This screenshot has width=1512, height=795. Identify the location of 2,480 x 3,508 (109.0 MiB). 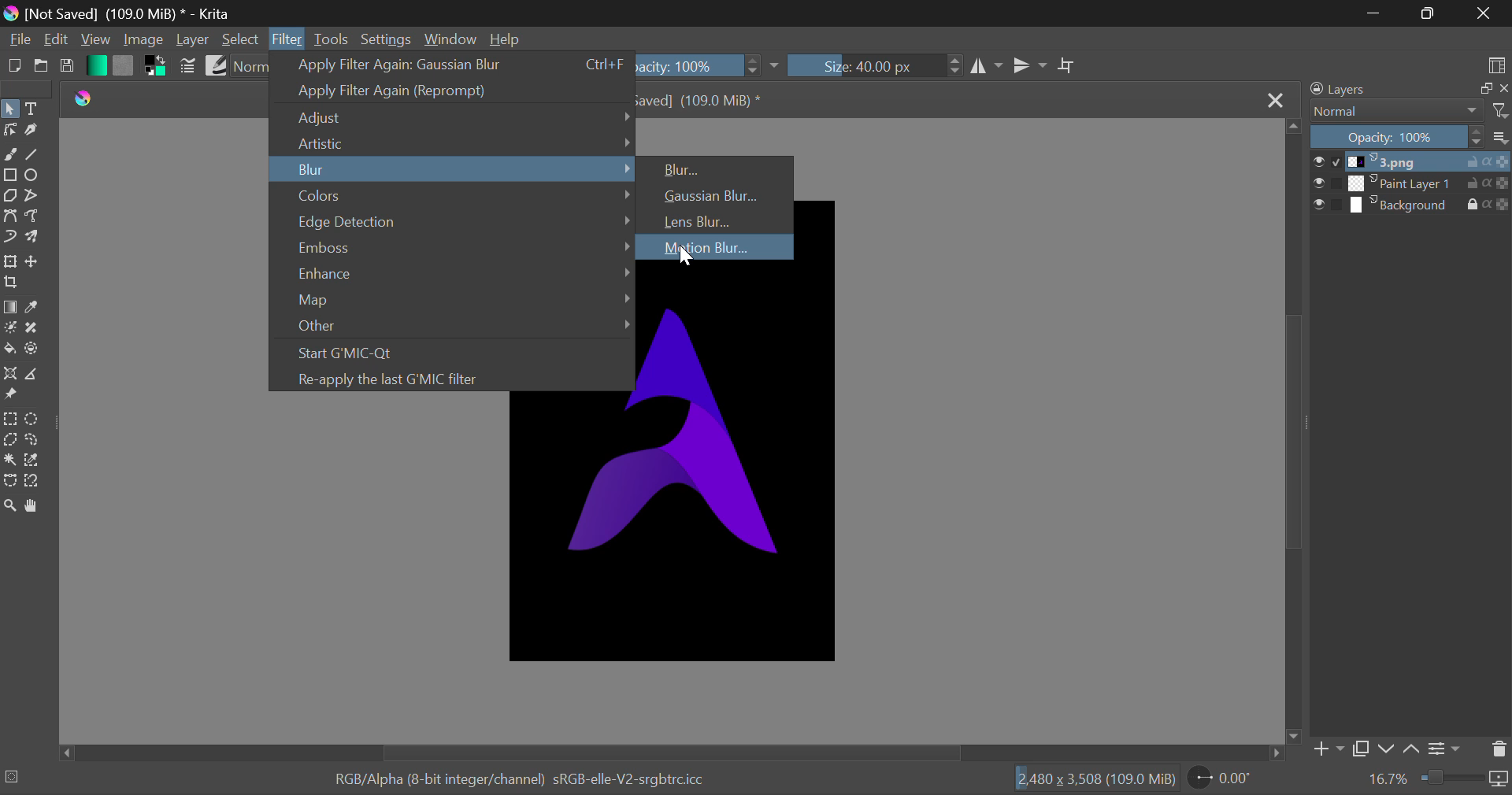
(1095, 778).